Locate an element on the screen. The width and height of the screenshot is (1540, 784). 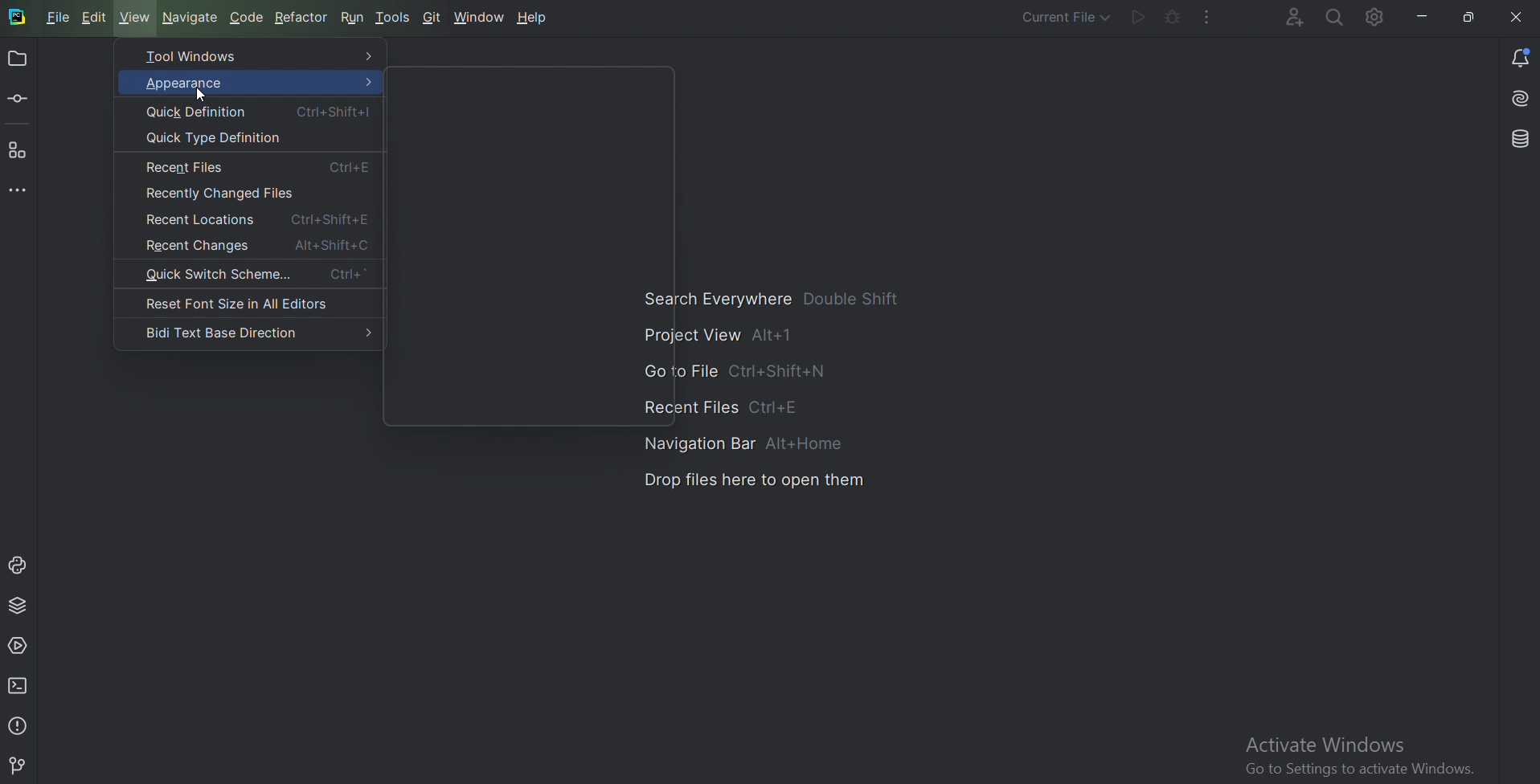
Navigation bar is located at coordinates (747, 442).